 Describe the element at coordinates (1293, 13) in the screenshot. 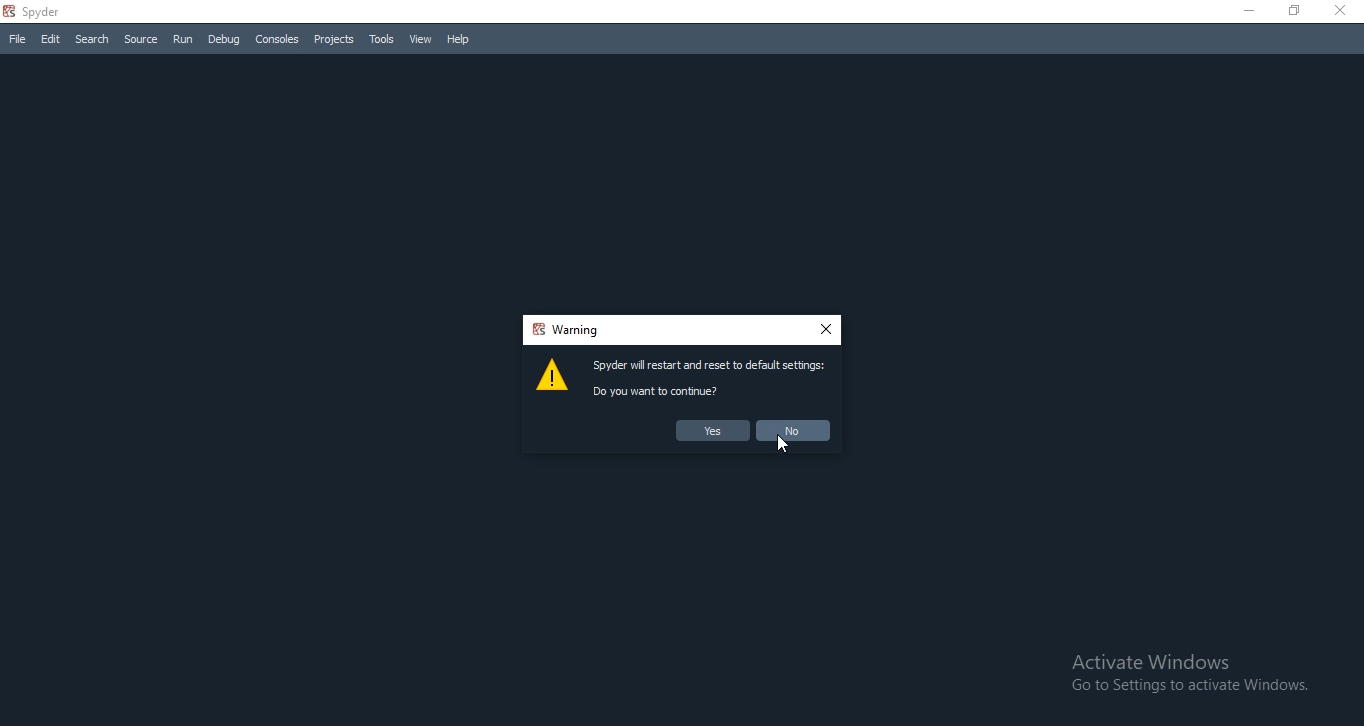

I see `restore` at that location.